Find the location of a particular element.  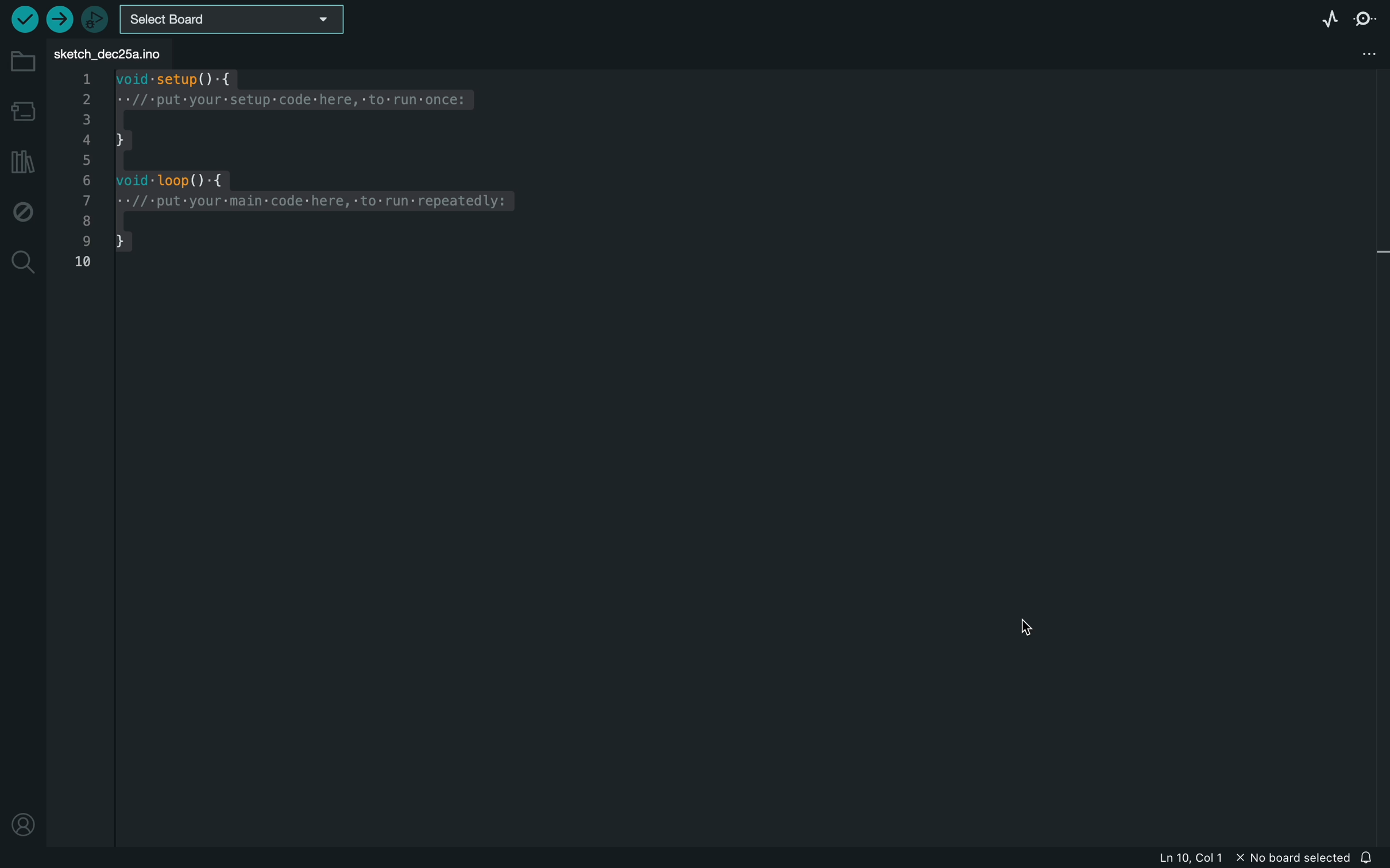

folder is located at coordinates (24, 63).